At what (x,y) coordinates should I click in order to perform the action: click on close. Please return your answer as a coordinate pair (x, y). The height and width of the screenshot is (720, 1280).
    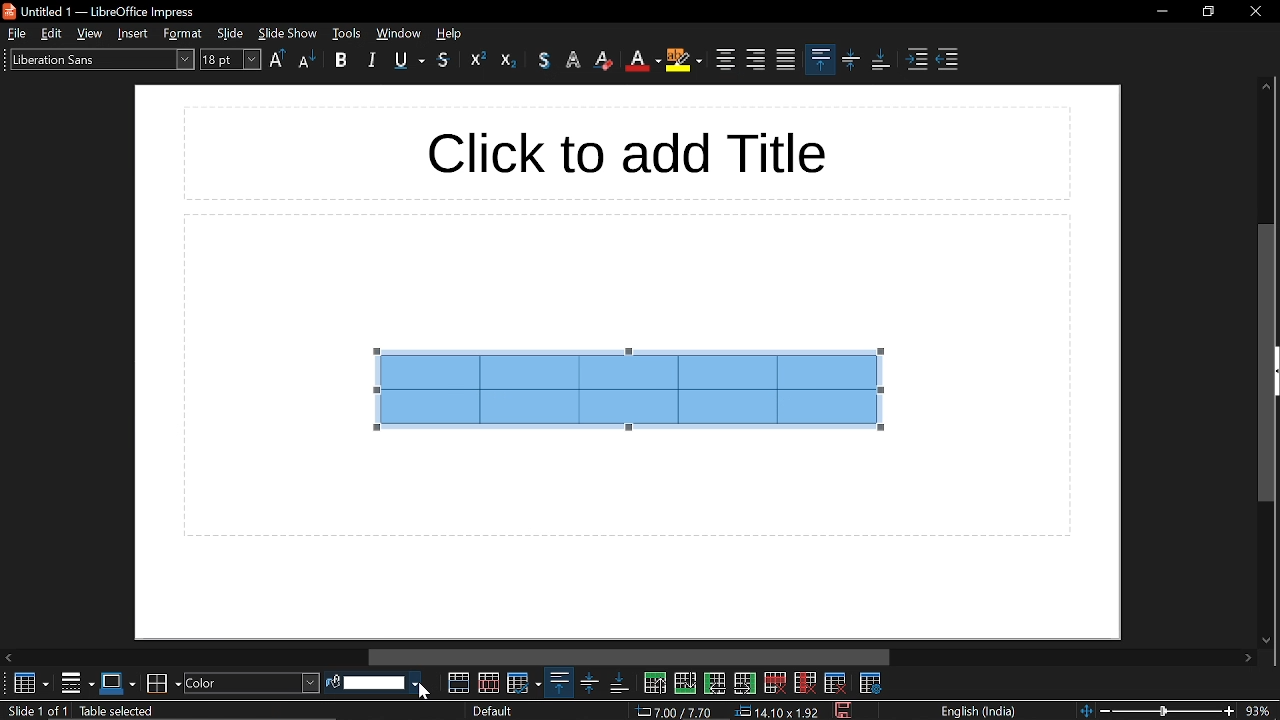
    Looking at the image, I should click on (1250, 12).